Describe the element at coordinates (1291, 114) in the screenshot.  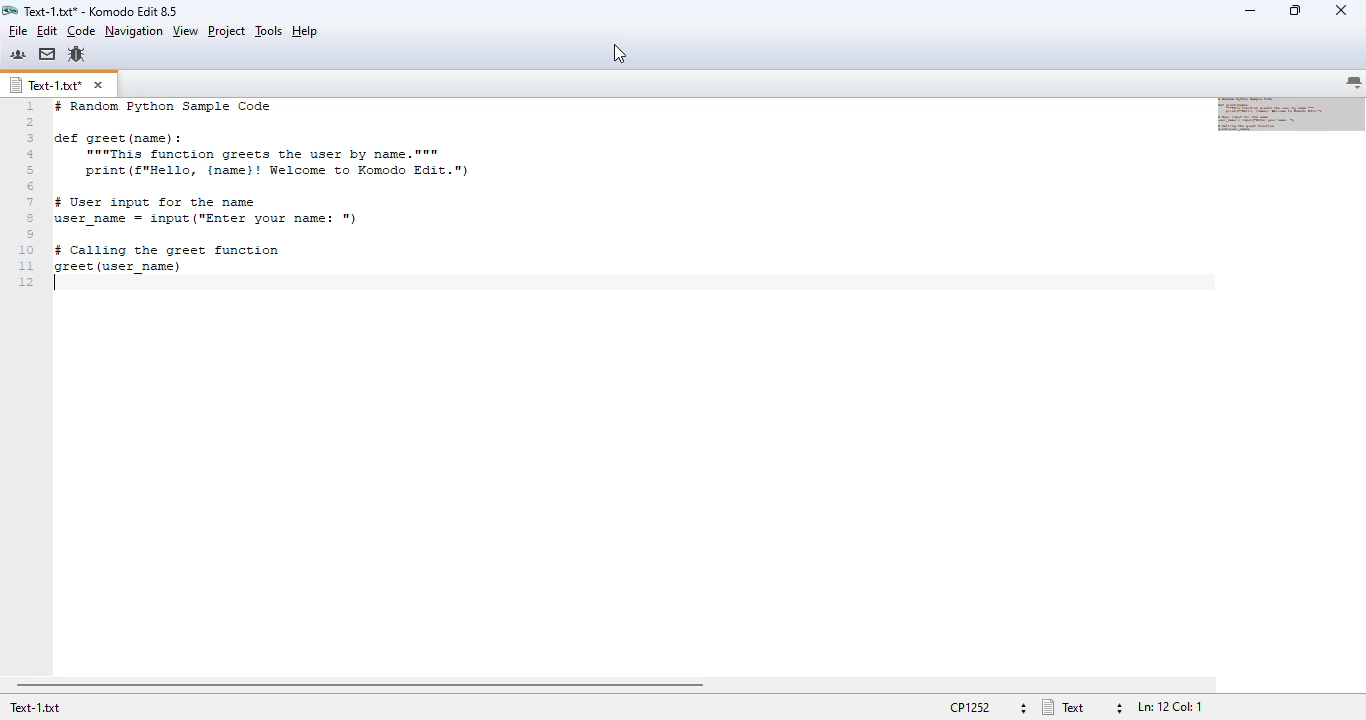
I see `minimap` at that location.